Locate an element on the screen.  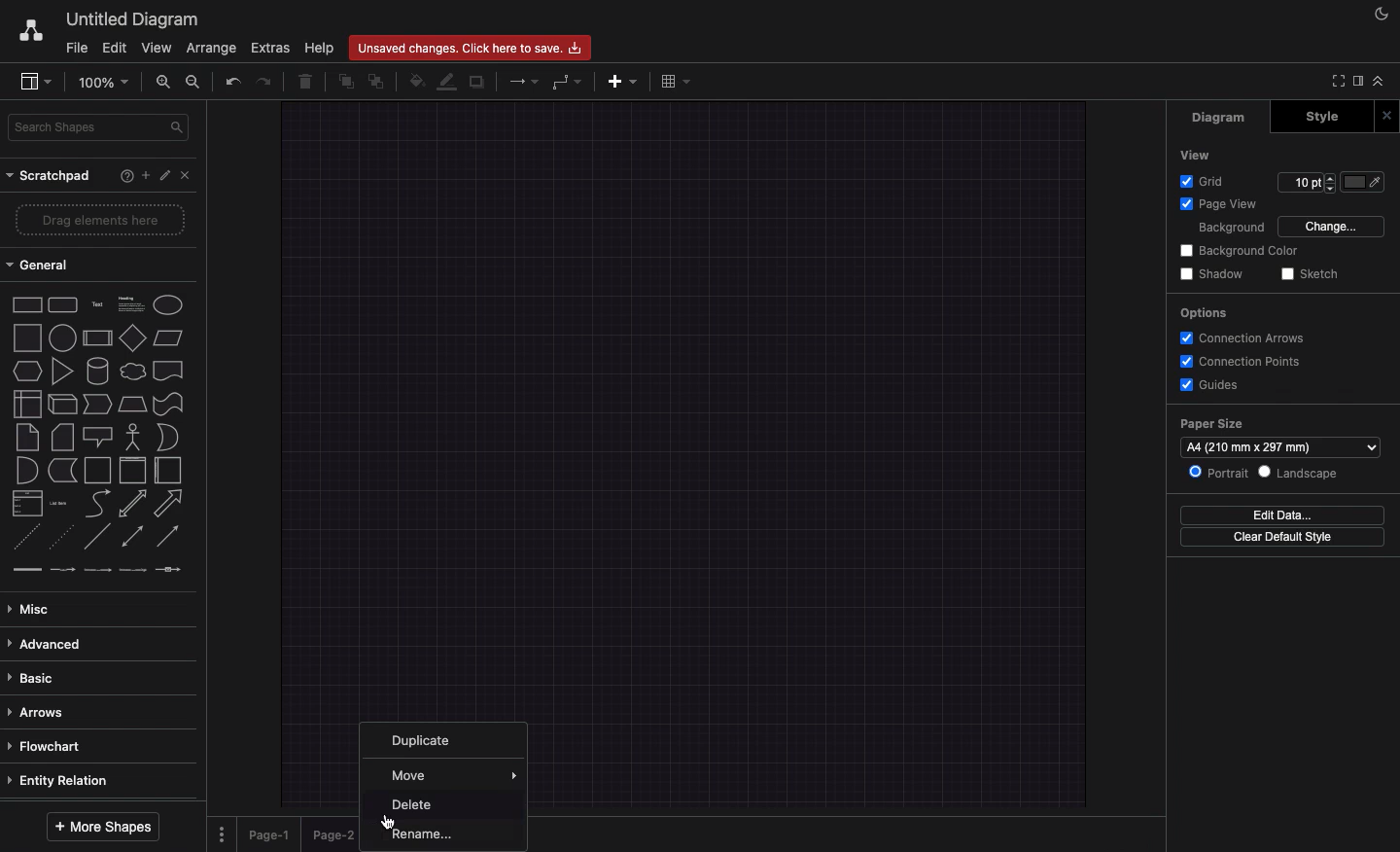
Mis is located at coordinates (36, 606).